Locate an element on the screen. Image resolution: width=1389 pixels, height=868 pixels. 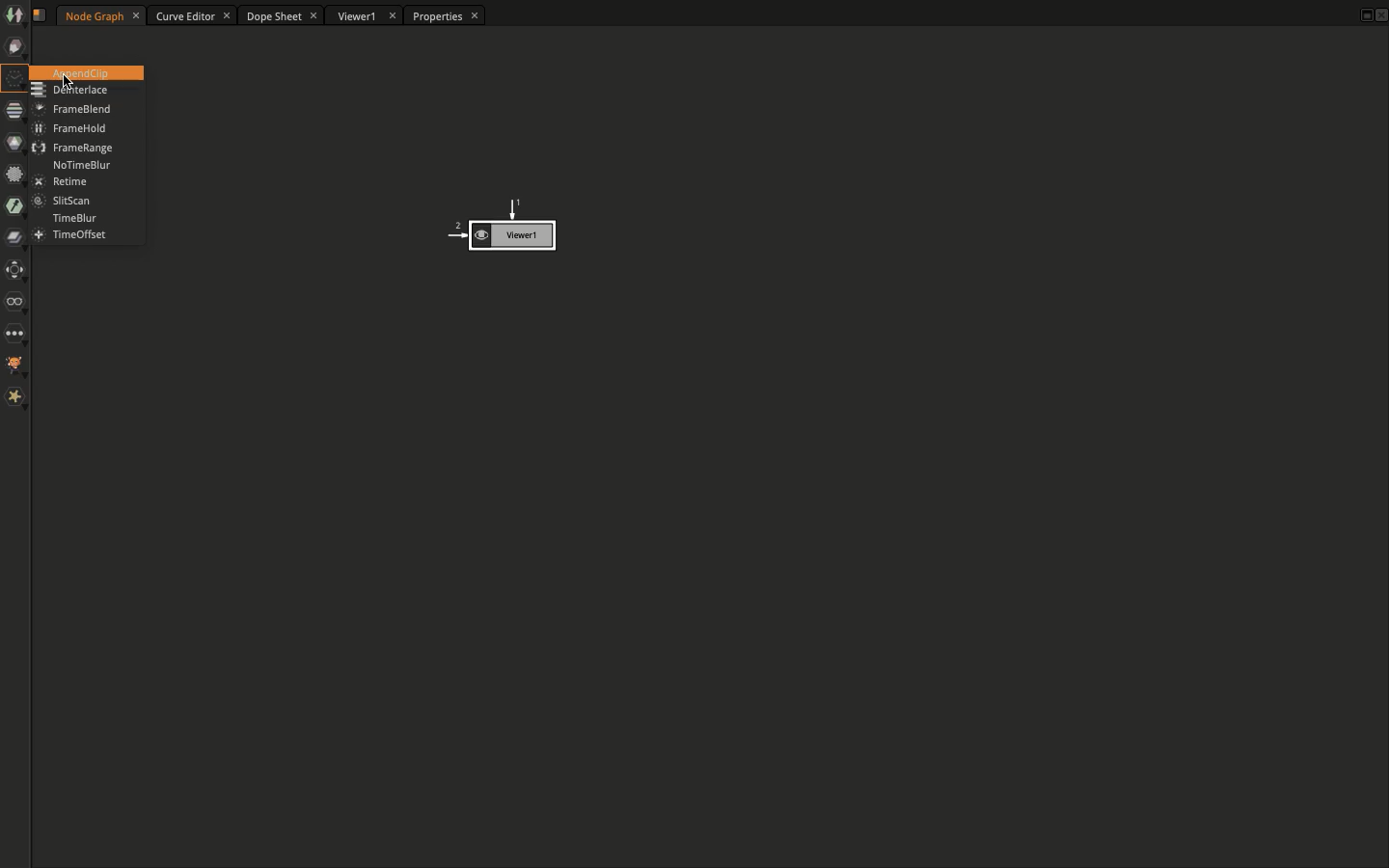
cursor is located at coordinates (68, 84).